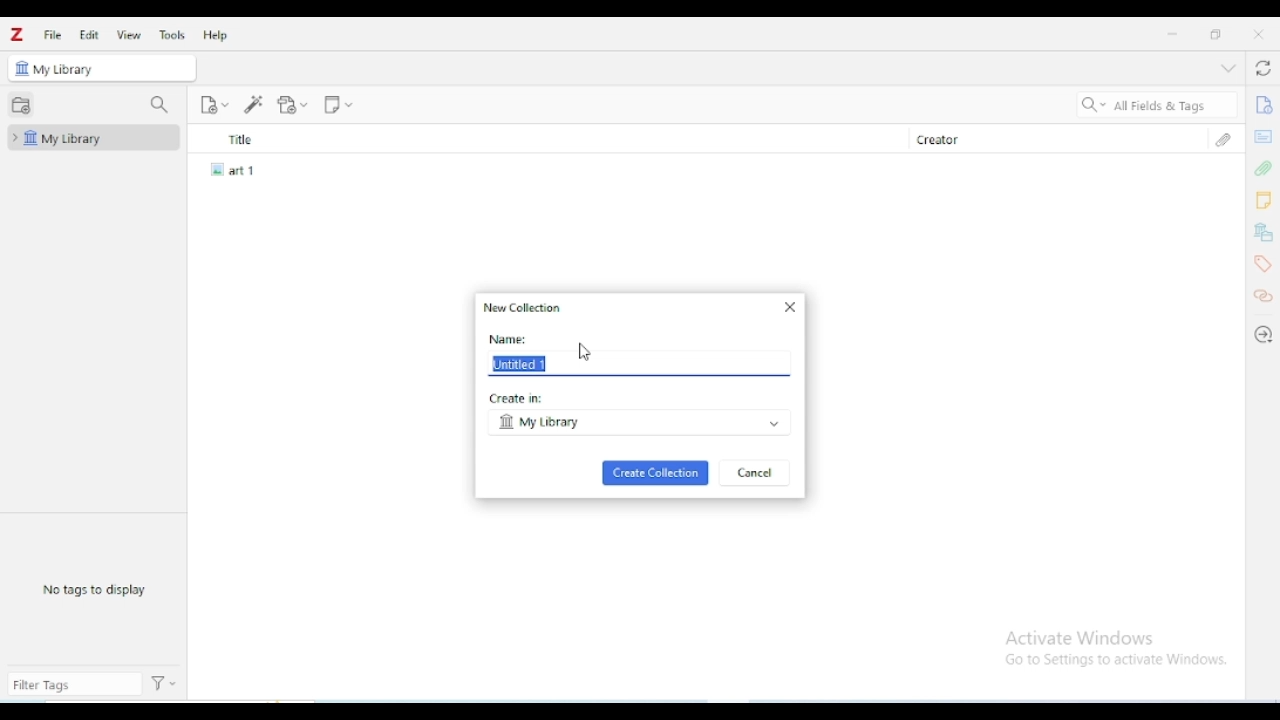  I want to click on create in: , so click(518, 398).